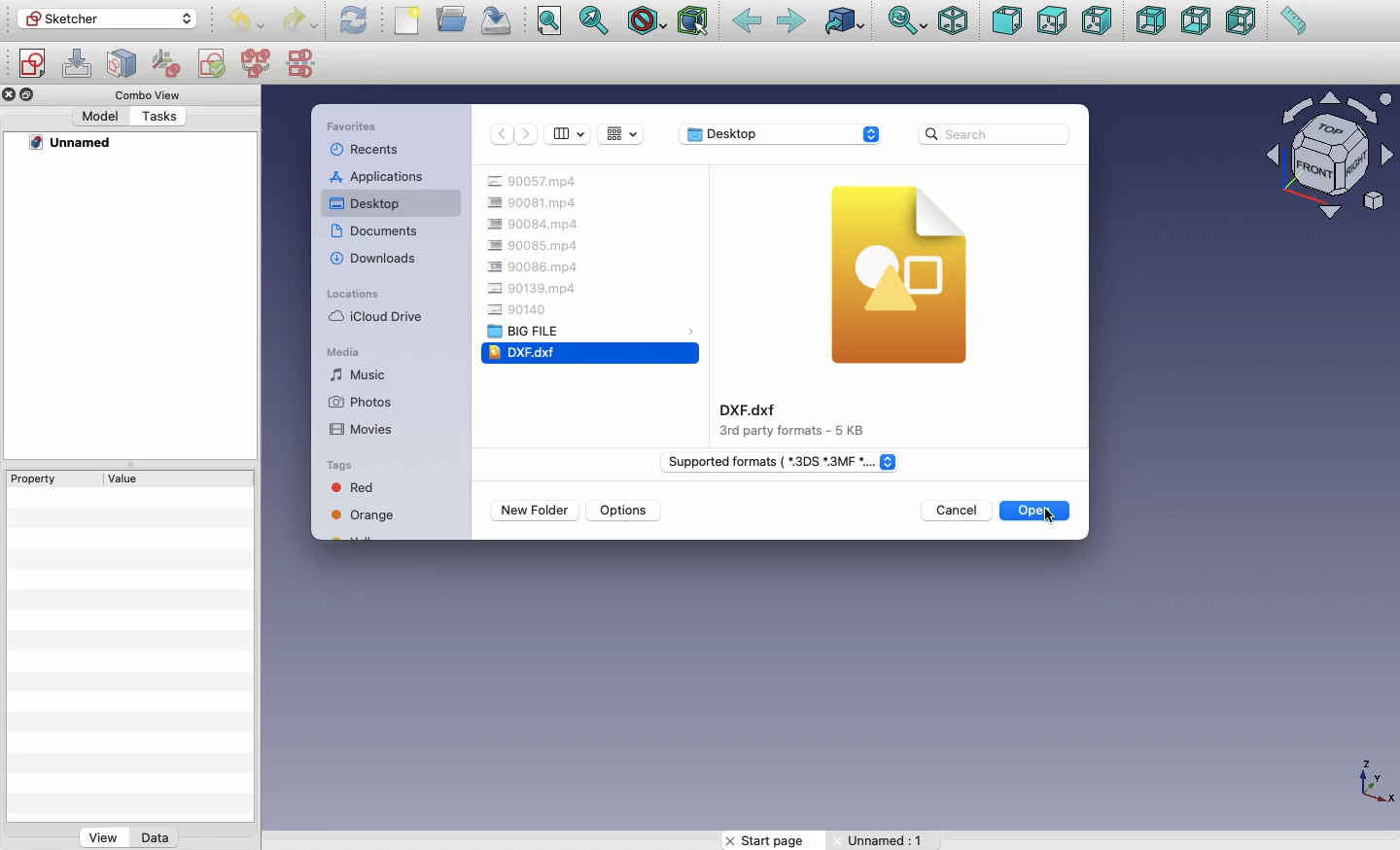  What do you see at coordinates (622, 134) in the screenshot?
I see `Grid` at bounding box center [622, 134].